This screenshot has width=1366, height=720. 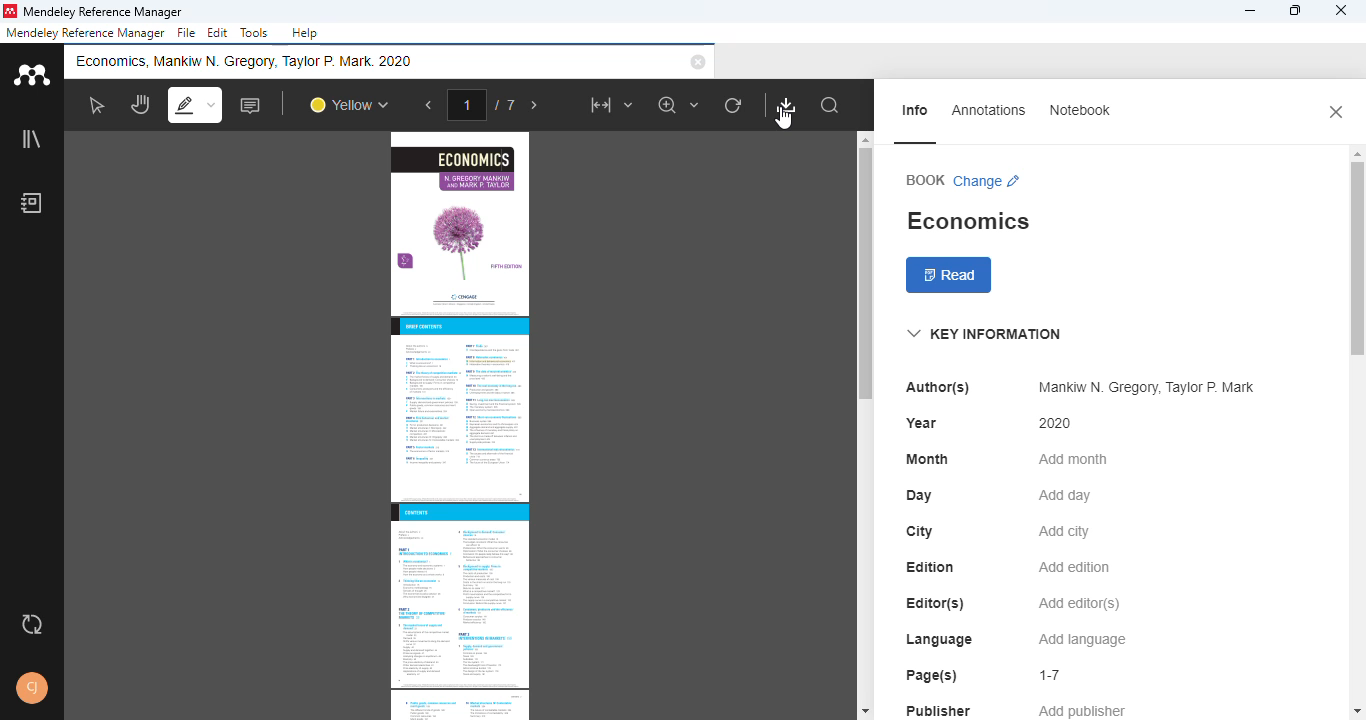 What do you see at coordinates (989, 109) in the screenshot?
I see `annotations` at bounding box center [989, 109].